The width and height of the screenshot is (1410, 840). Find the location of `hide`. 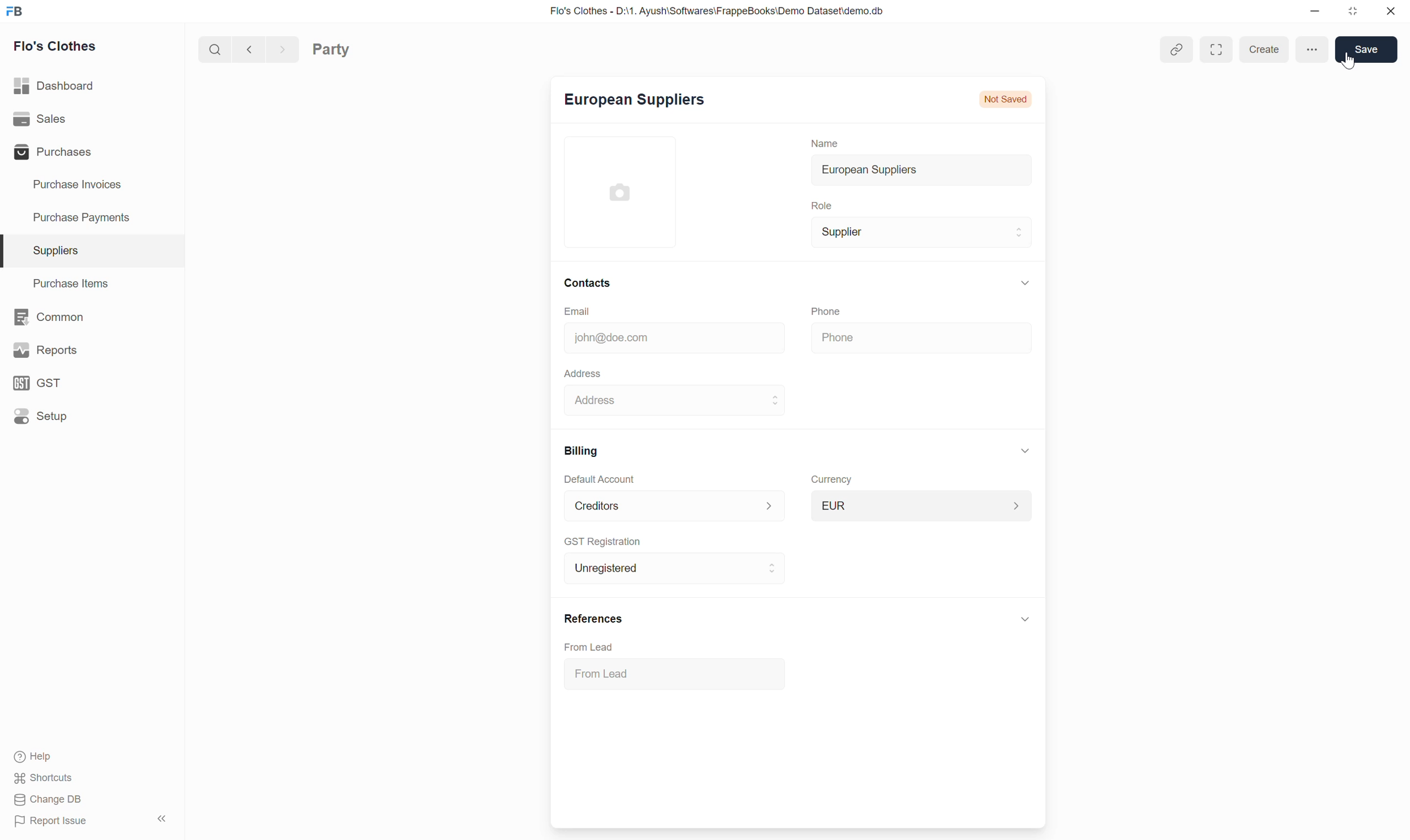

hide is located at coordinates (158, 818).